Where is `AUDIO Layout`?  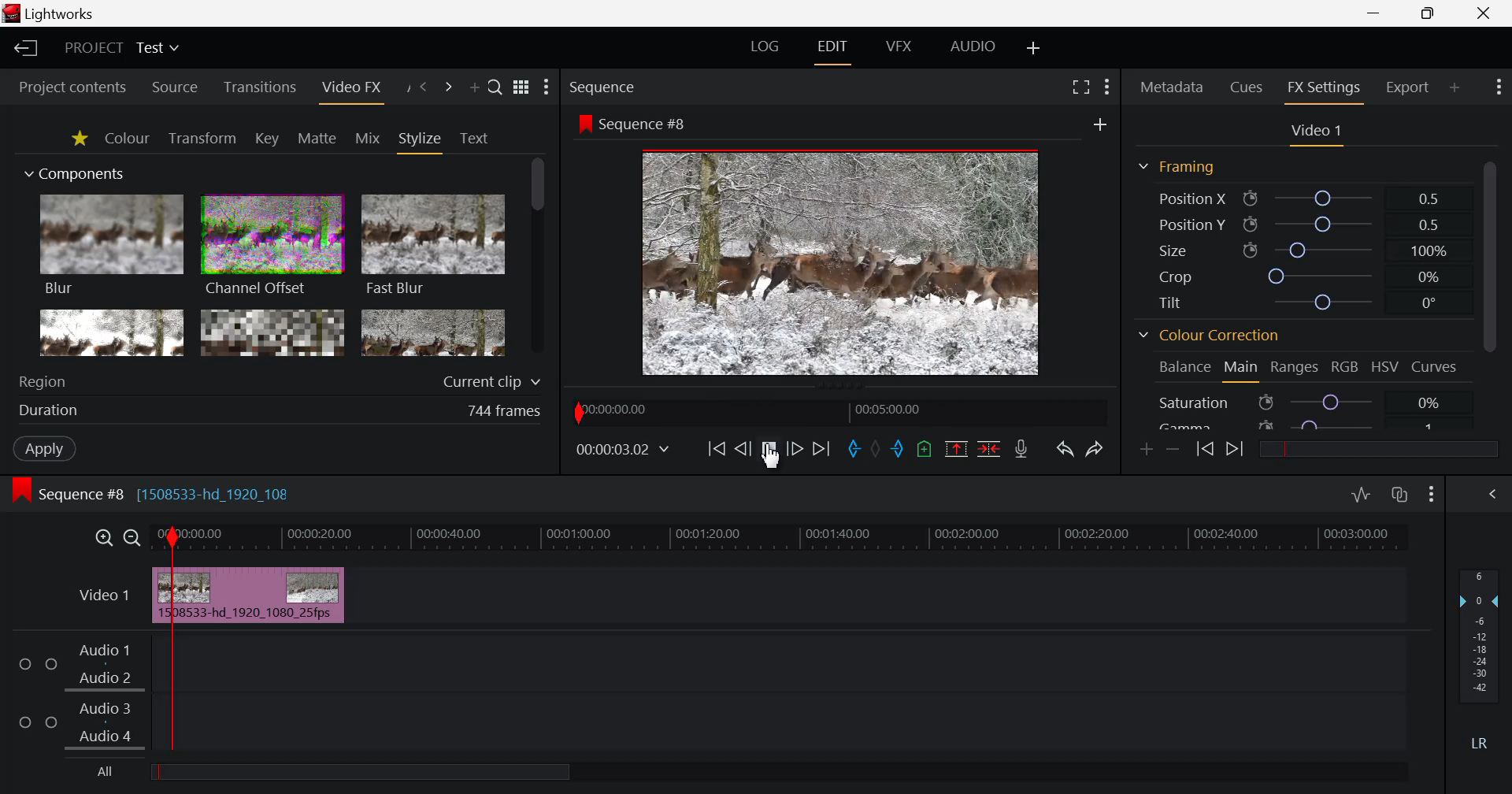
AUDIO Layout is located at coordinates (973, 46).